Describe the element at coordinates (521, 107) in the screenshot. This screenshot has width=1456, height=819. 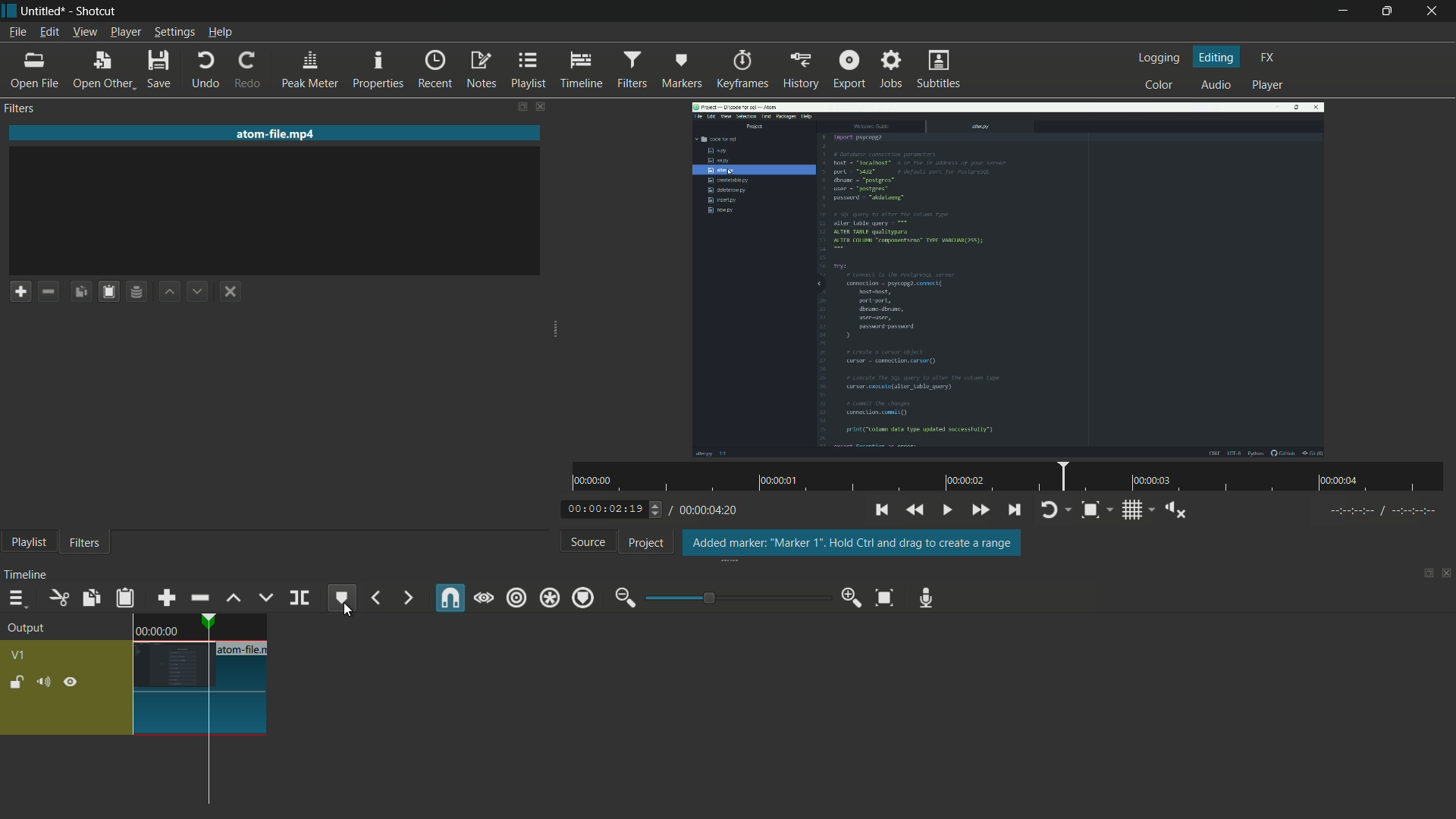
I see `change layout` at that location.